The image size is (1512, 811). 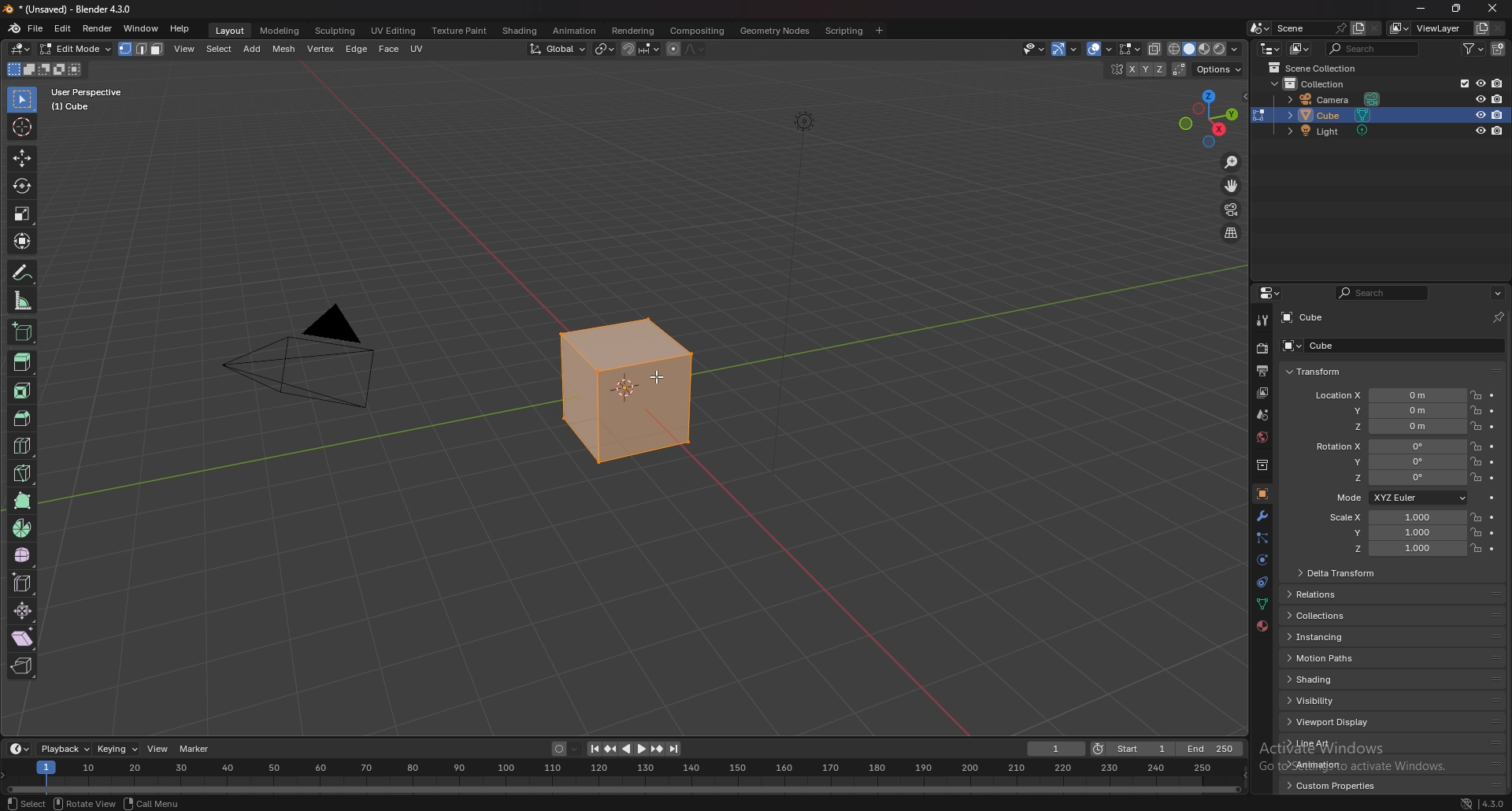 I want to click on cursor, so click(x=660, y=383).